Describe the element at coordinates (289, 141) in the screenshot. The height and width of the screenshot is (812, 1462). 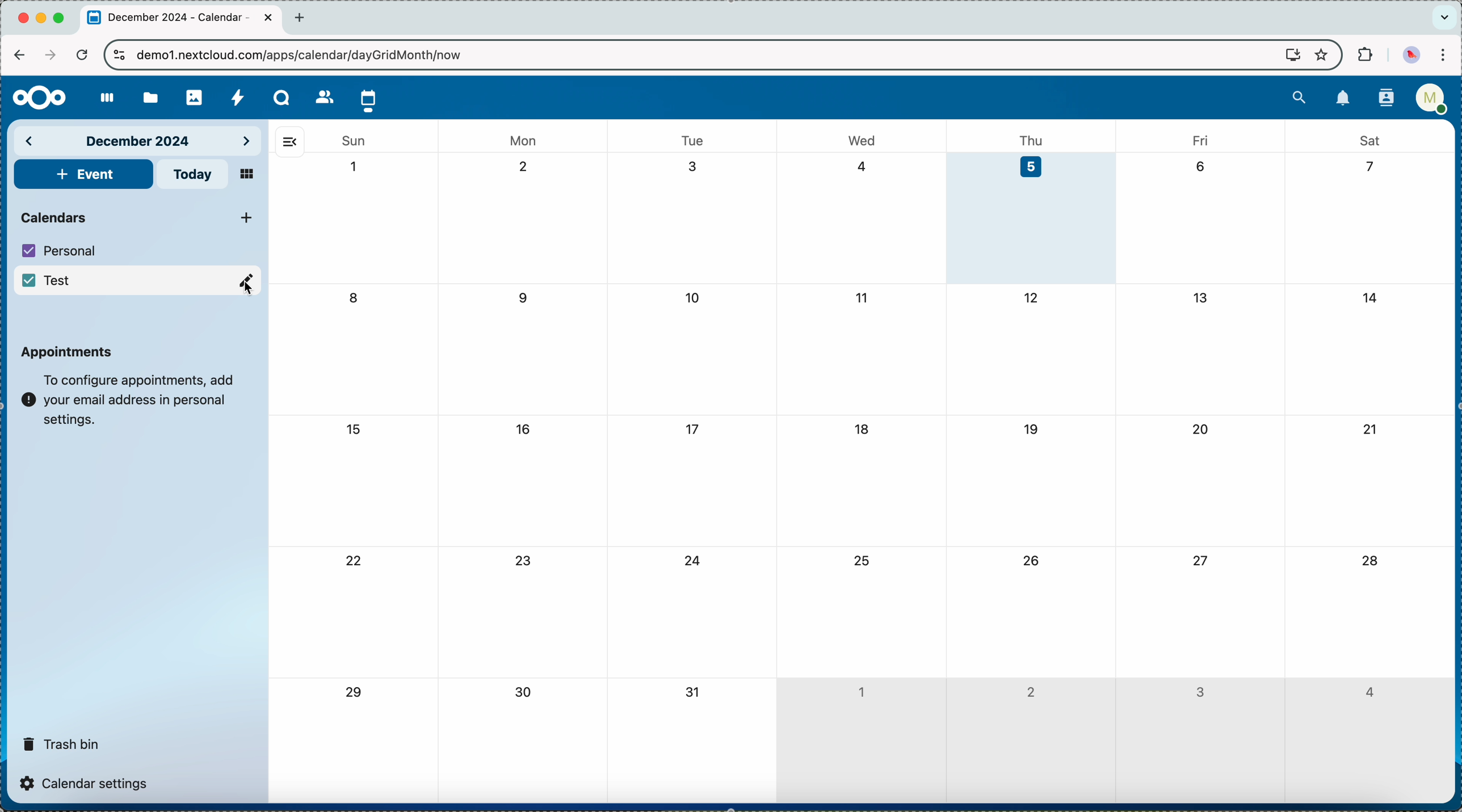
I see `hide side bar` at that location.